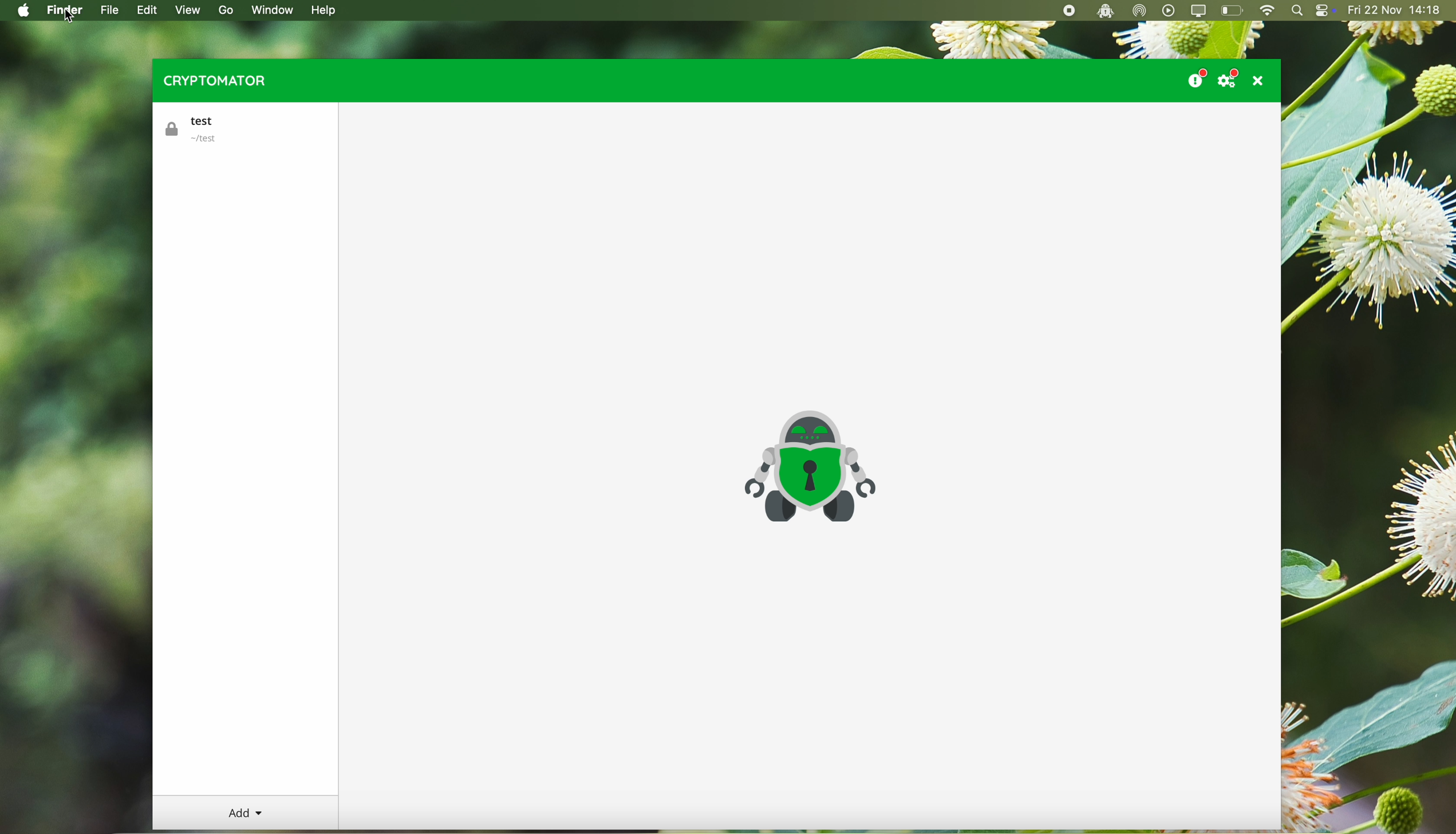 The width and height of the screenshot is (1456, 834). What do you see at coordinates (215, 80) in the screenshot?
I see `cryptomator` at bounding box center [215, 80].